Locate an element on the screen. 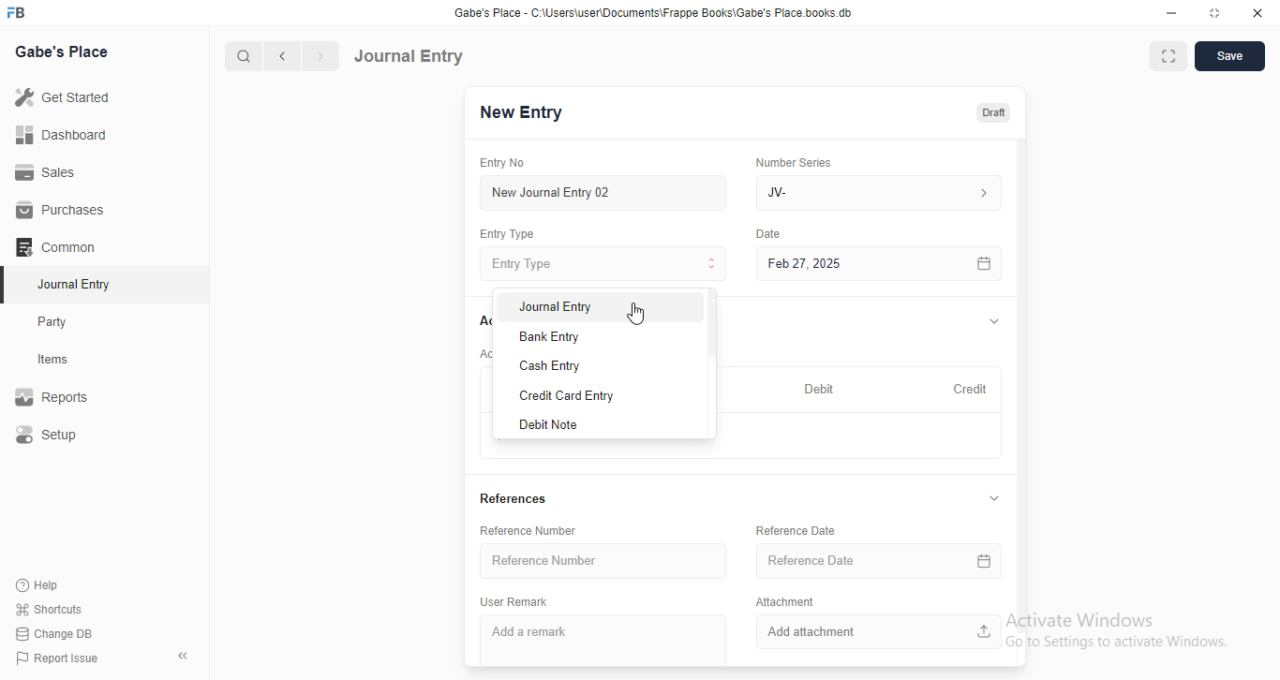  Reports is located at coordinates (53, 394).